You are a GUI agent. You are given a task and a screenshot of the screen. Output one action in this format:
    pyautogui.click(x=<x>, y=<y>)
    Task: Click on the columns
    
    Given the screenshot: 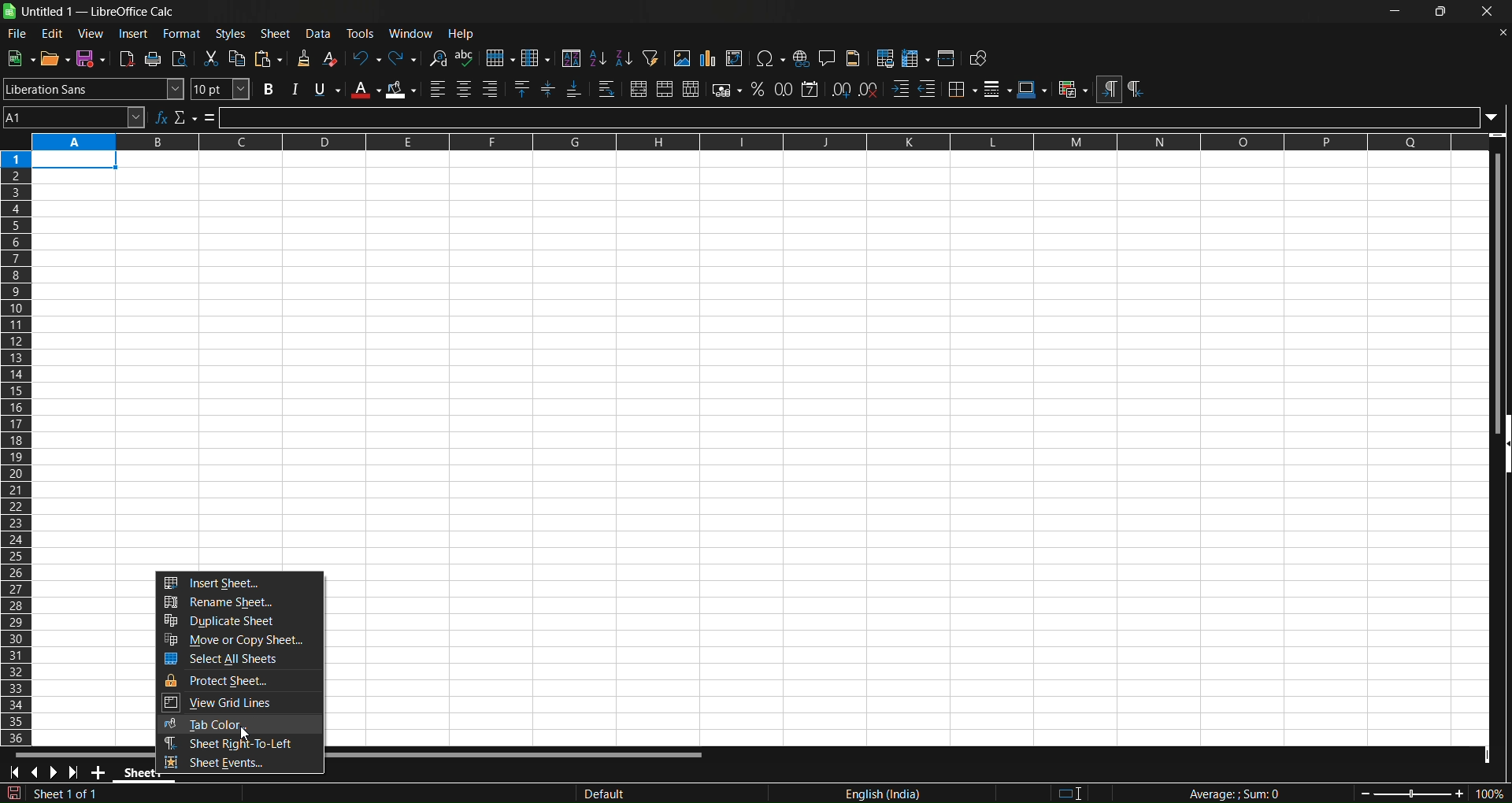 What is the action you would take?
    pyautogui.click(x=17, y=444)
    